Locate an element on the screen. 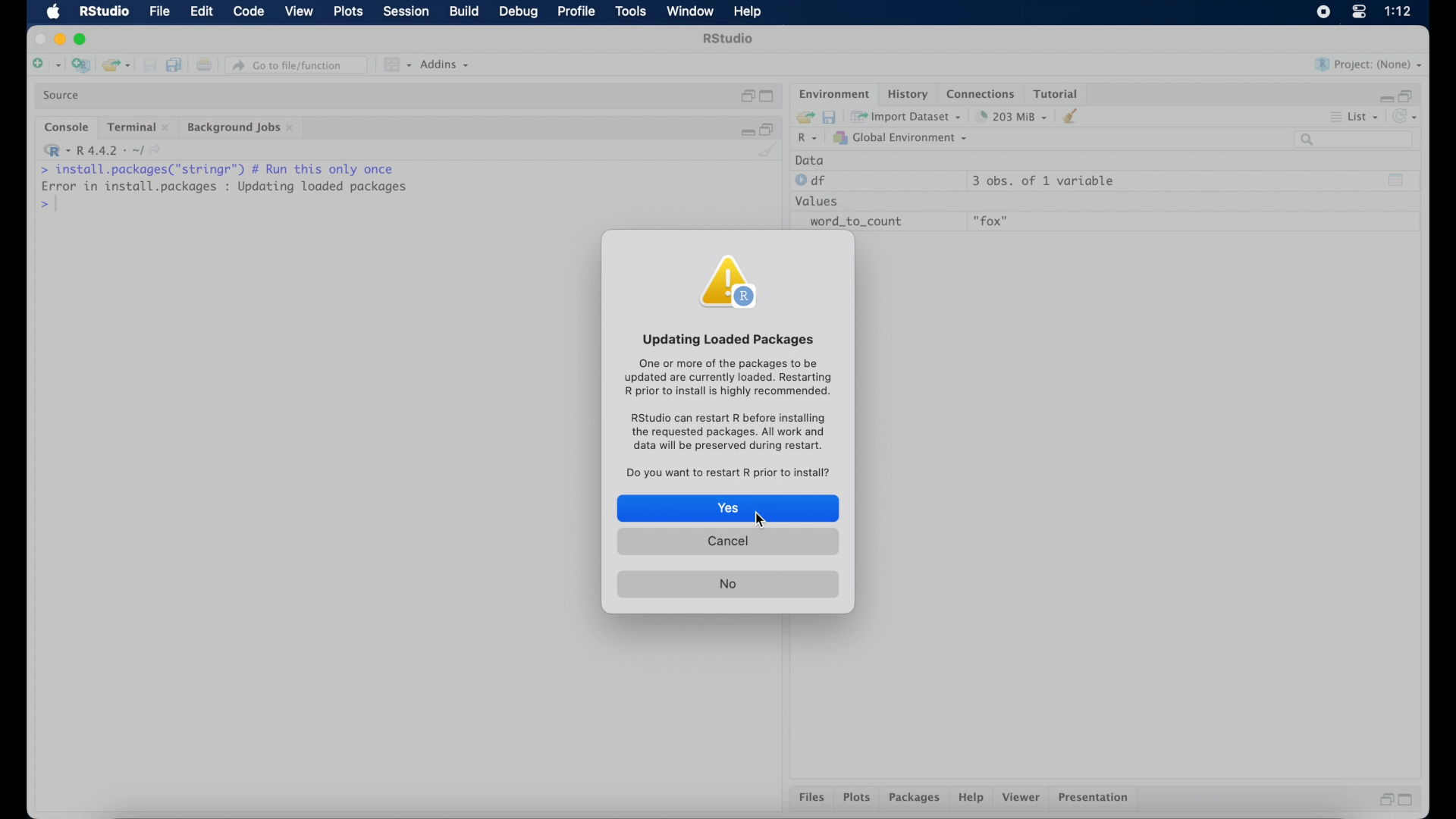 This screenshot has height=819, width=1456. df is located at coordinates (813, 180).